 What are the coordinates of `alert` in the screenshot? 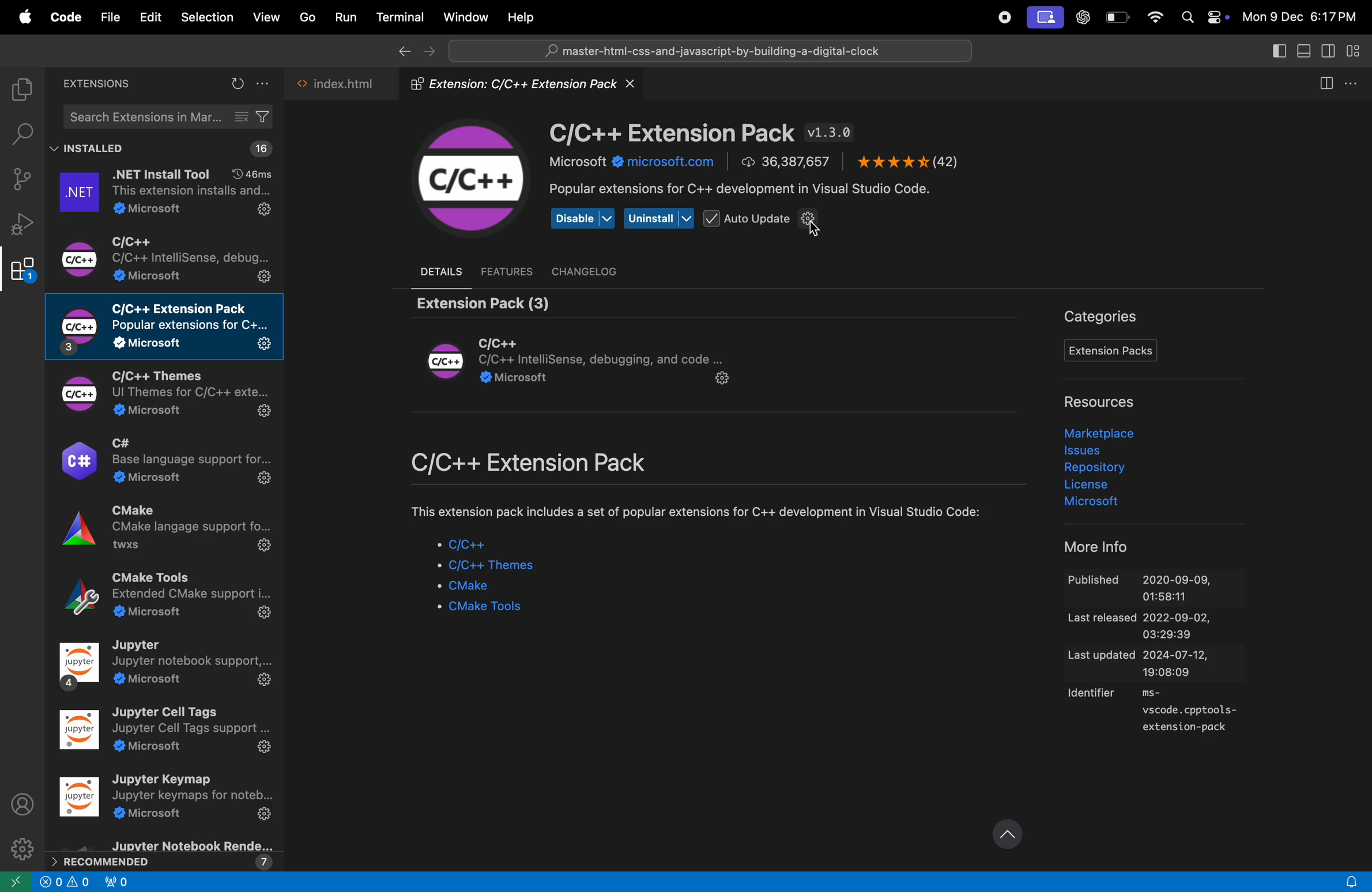 It's located at (116, 883).